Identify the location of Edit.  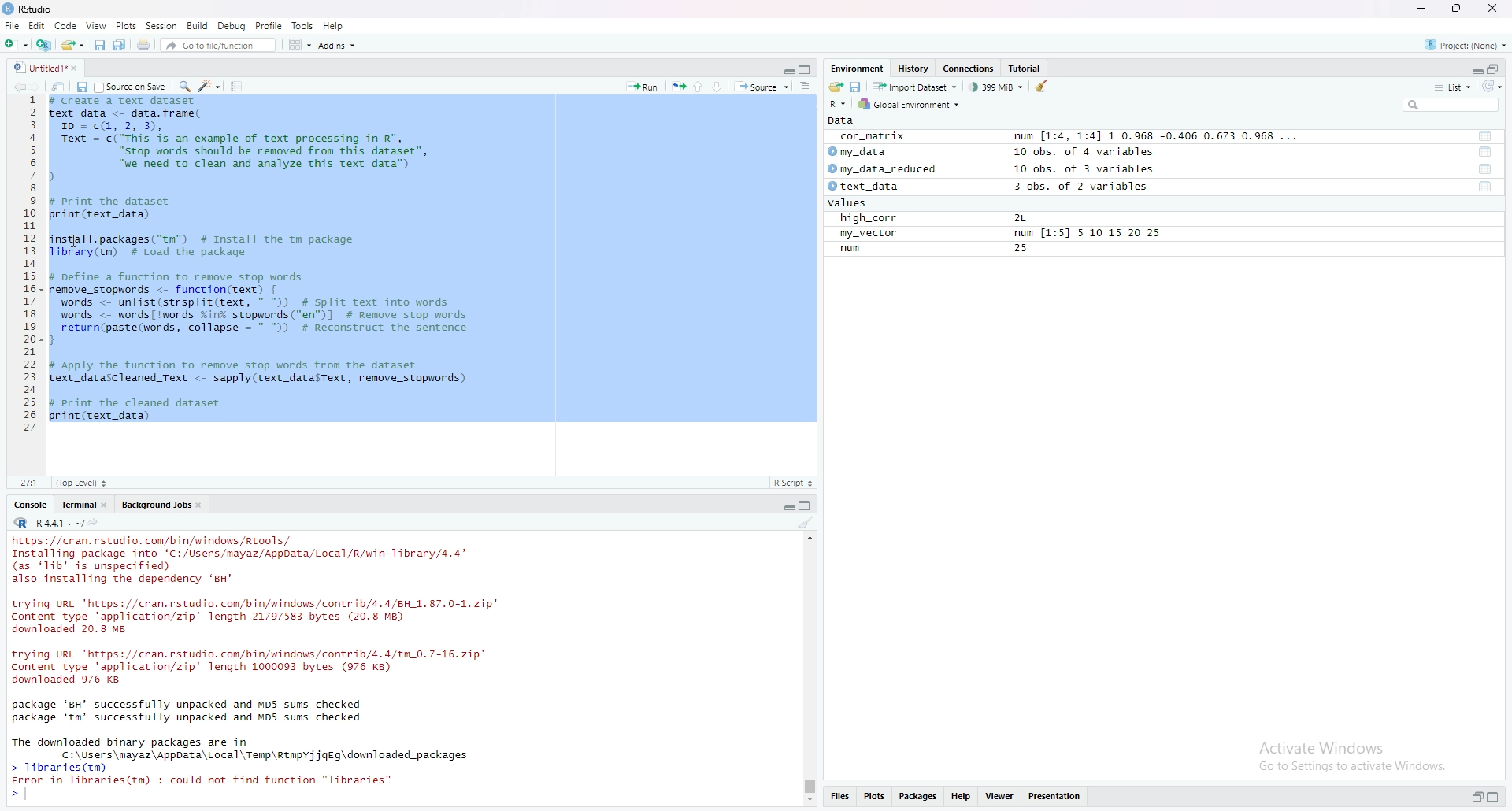
(35, 25).